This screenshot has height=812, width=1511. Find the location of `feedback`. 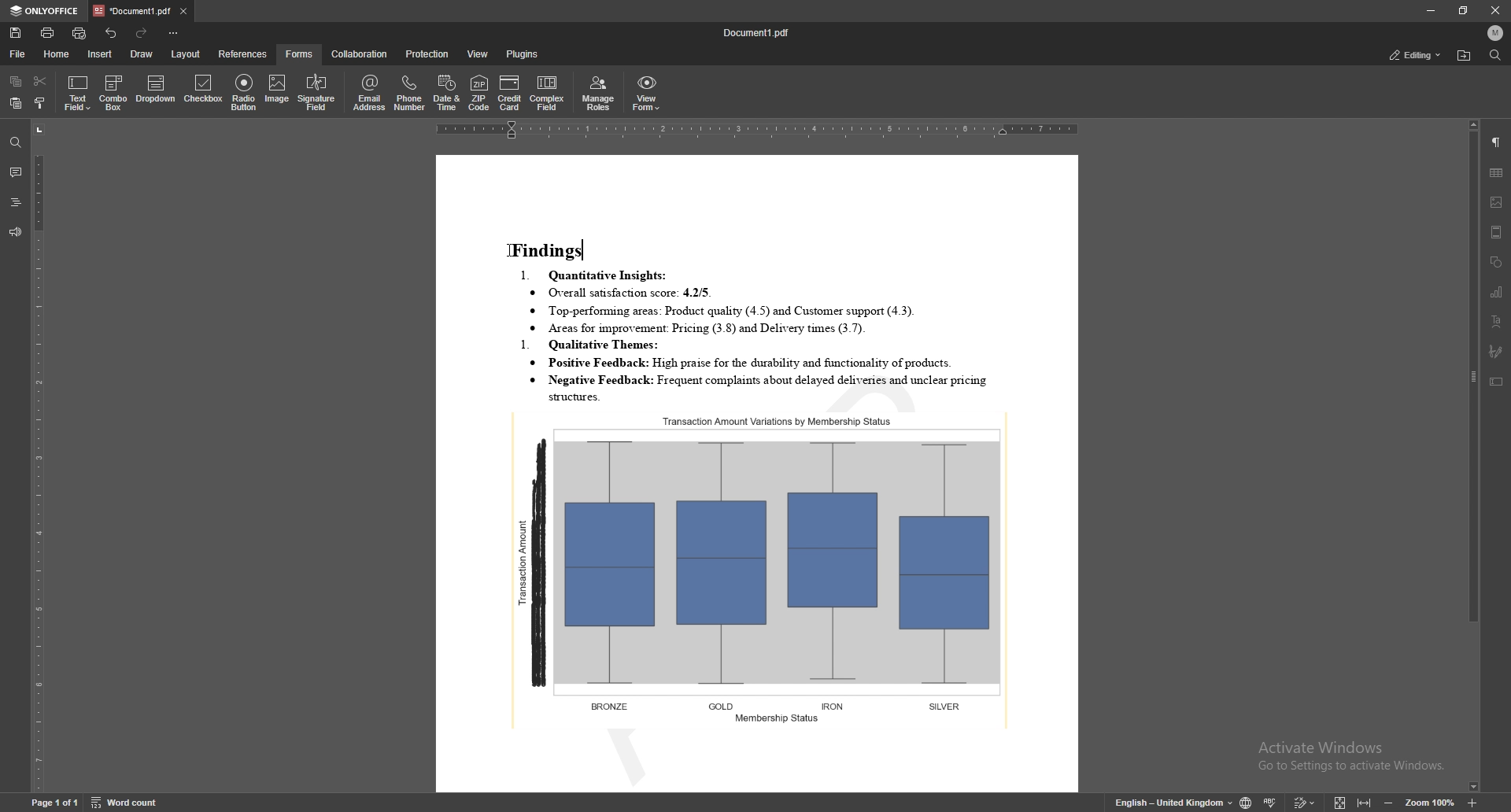

feedback is located at coordinates (13, 233).